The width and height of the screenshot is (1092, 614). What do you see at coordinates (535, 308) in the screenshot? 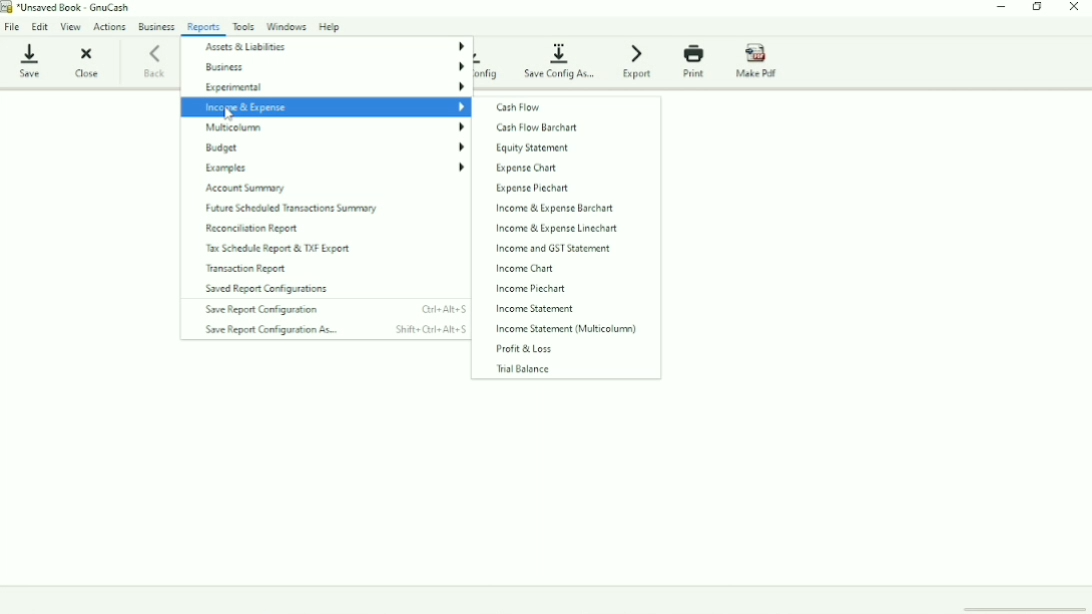
I see `Income Statement` at bounding box center [535, 308].